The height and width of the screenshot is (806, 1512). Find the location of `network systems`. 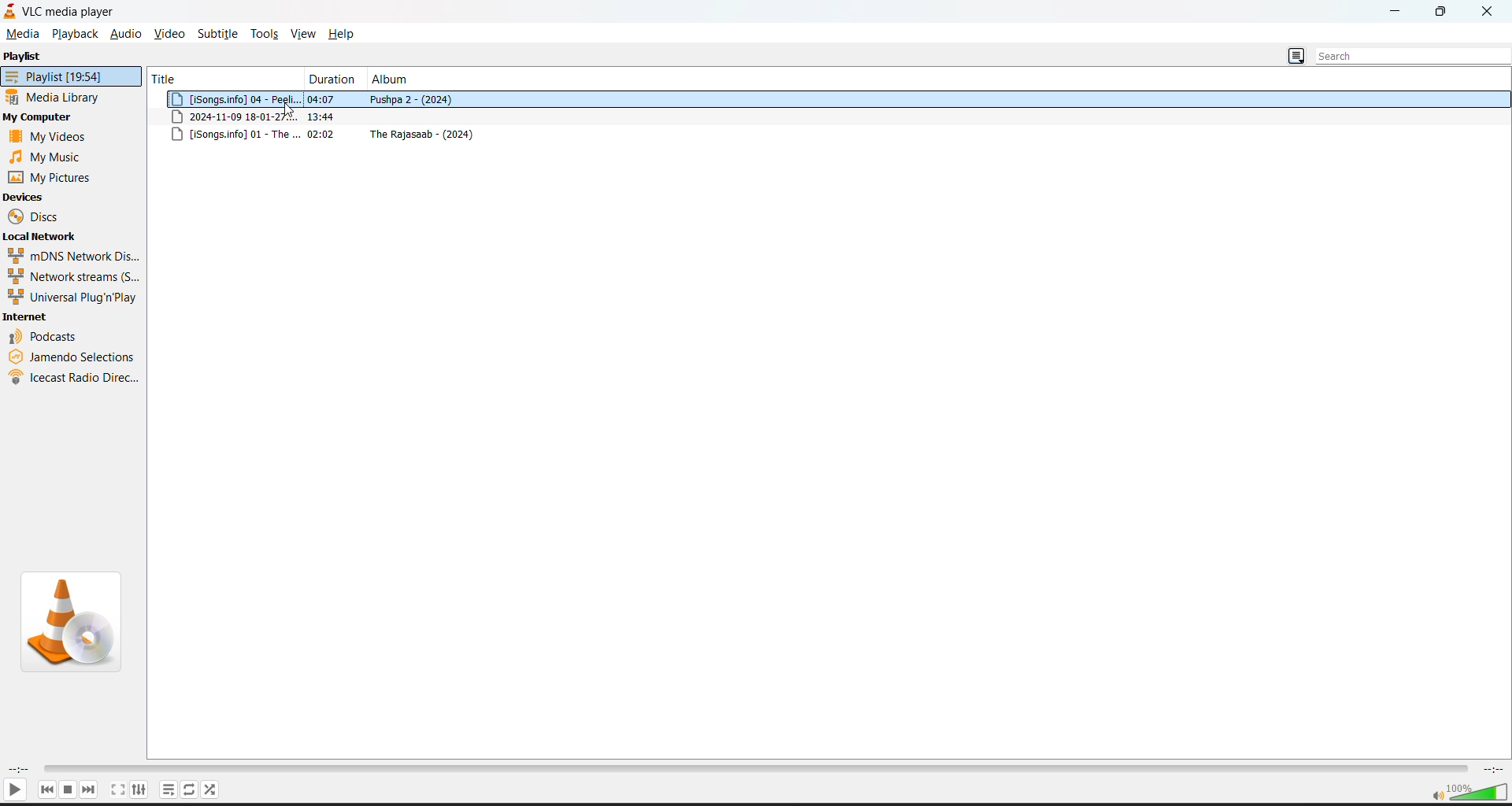

network systems is located at coordinates (71, 275).